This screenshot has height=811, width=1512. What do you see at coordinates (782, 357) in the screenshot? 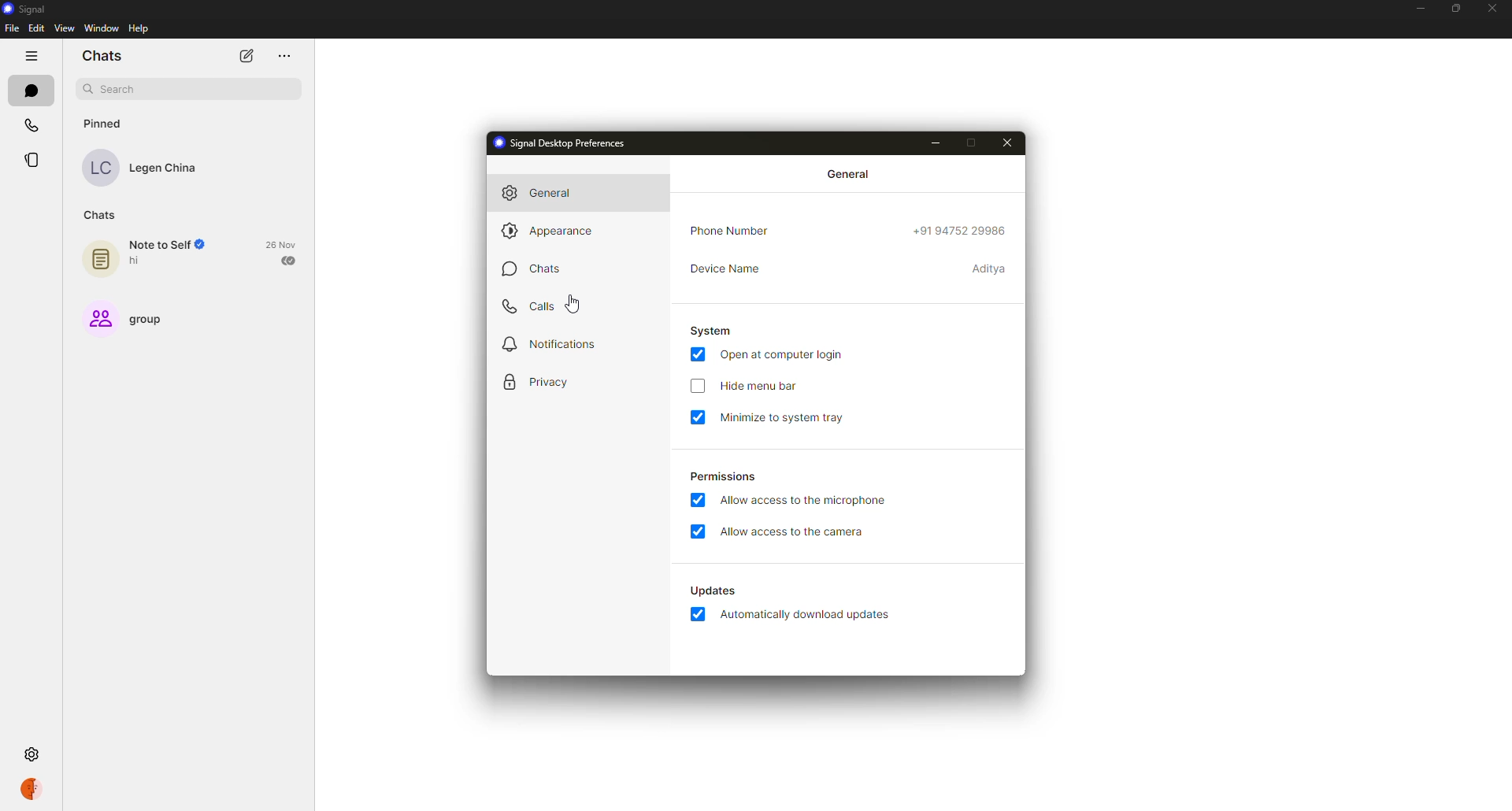
I see `open at login` at bounding box center [782, 357].